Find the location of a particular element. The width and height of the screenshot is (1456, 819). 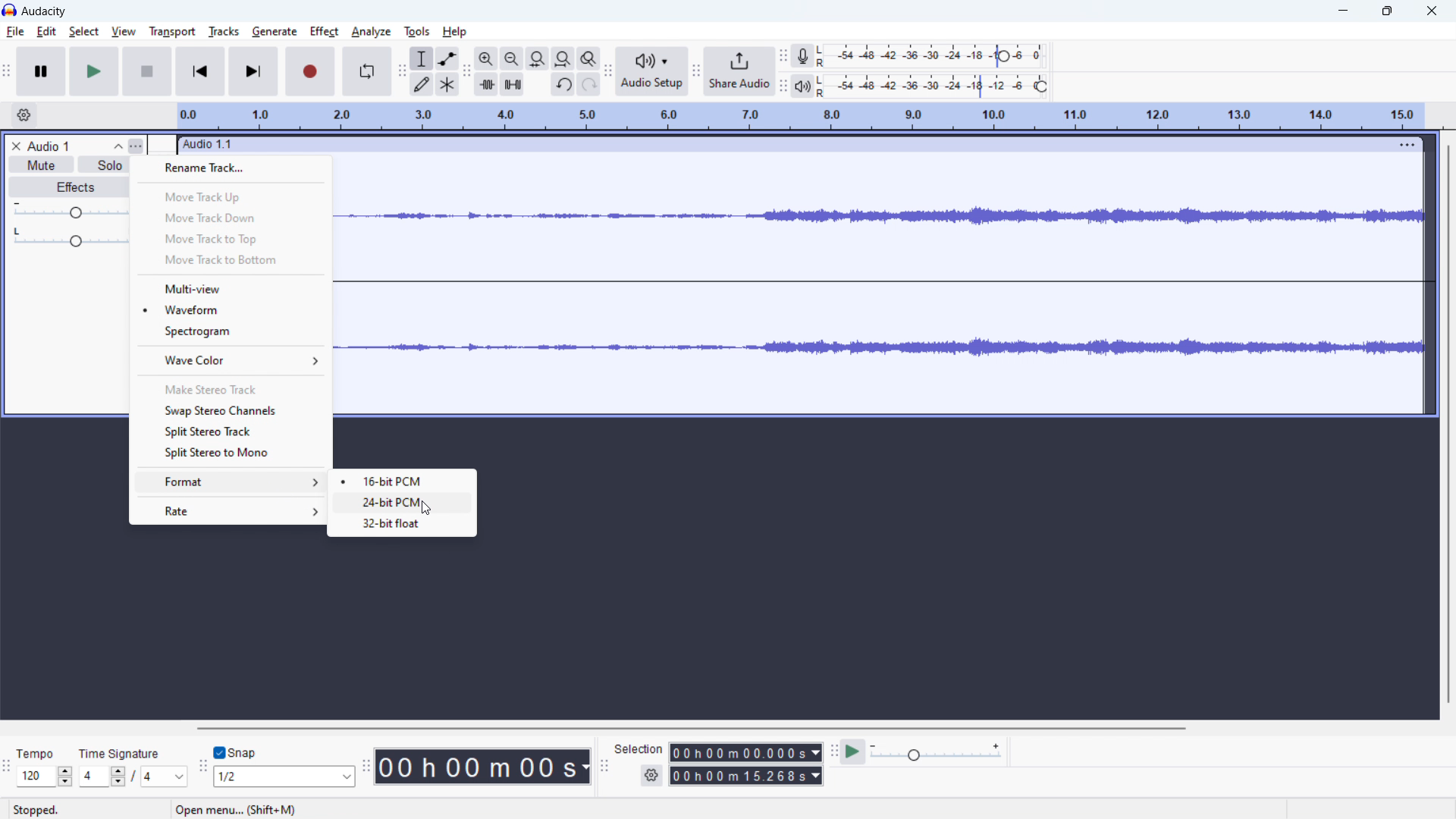

playback meter toolbar is located at coordinates (783, 86).